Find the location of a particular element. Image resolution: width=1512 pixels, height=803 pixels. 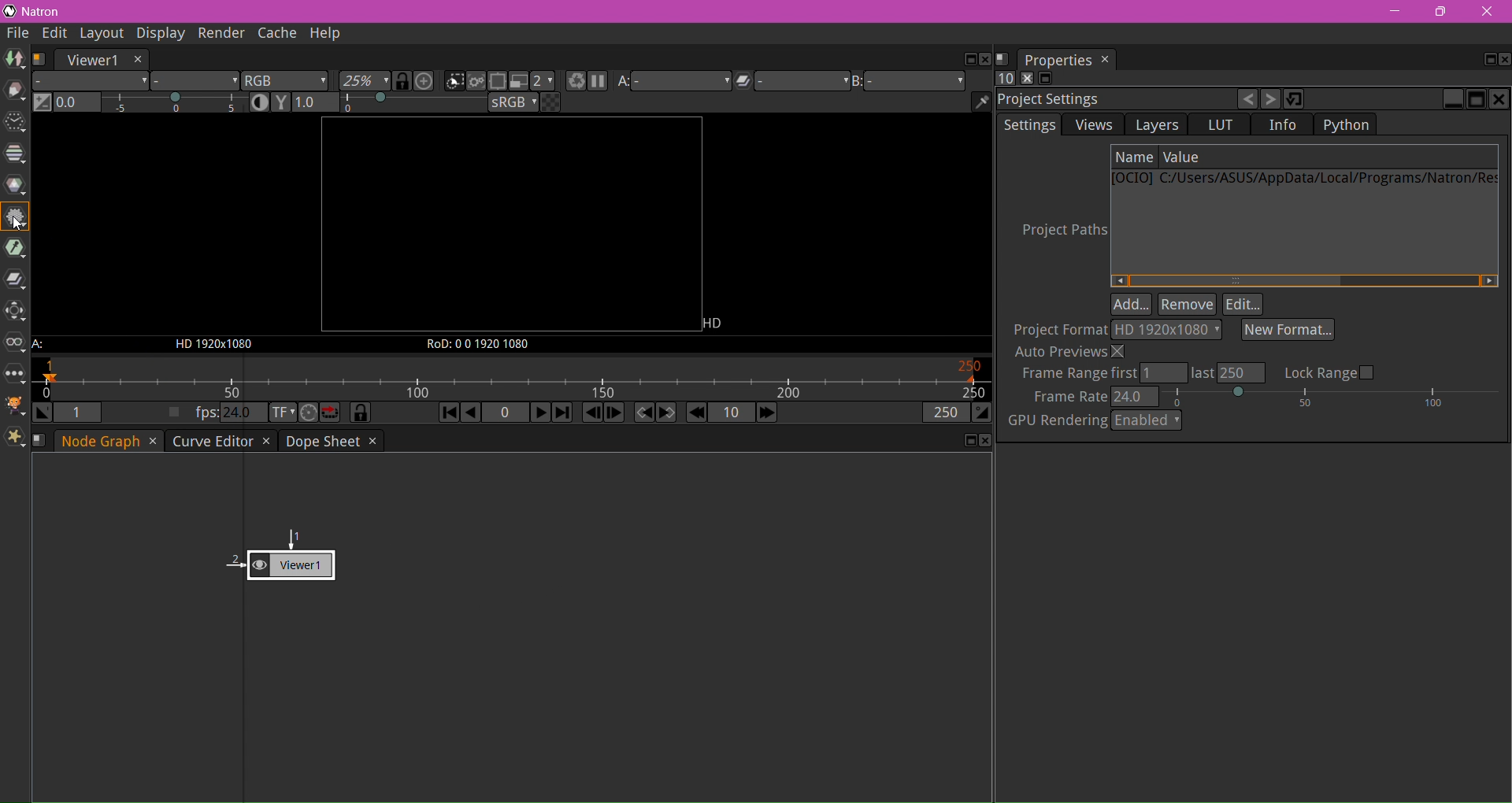

Close is located at coordinates (1489, 13).